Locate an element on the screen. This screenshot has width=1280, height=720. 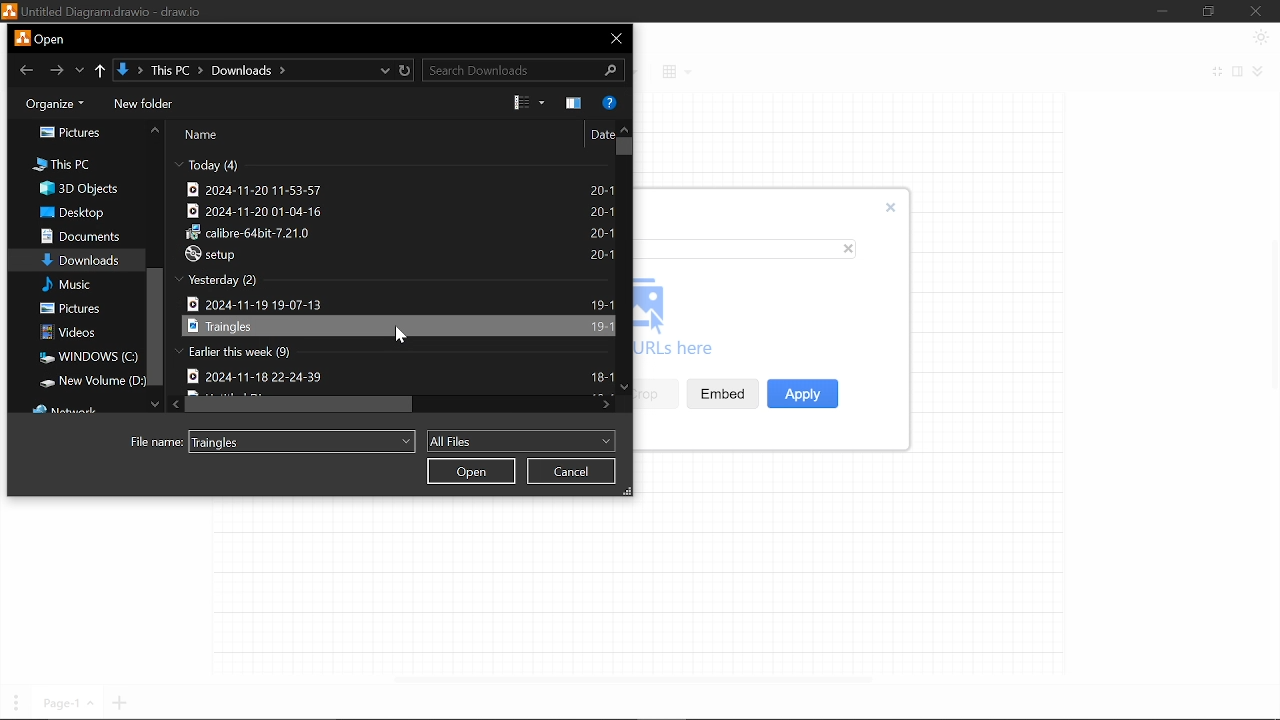
Minimize is located at coordinates (1162, 12).